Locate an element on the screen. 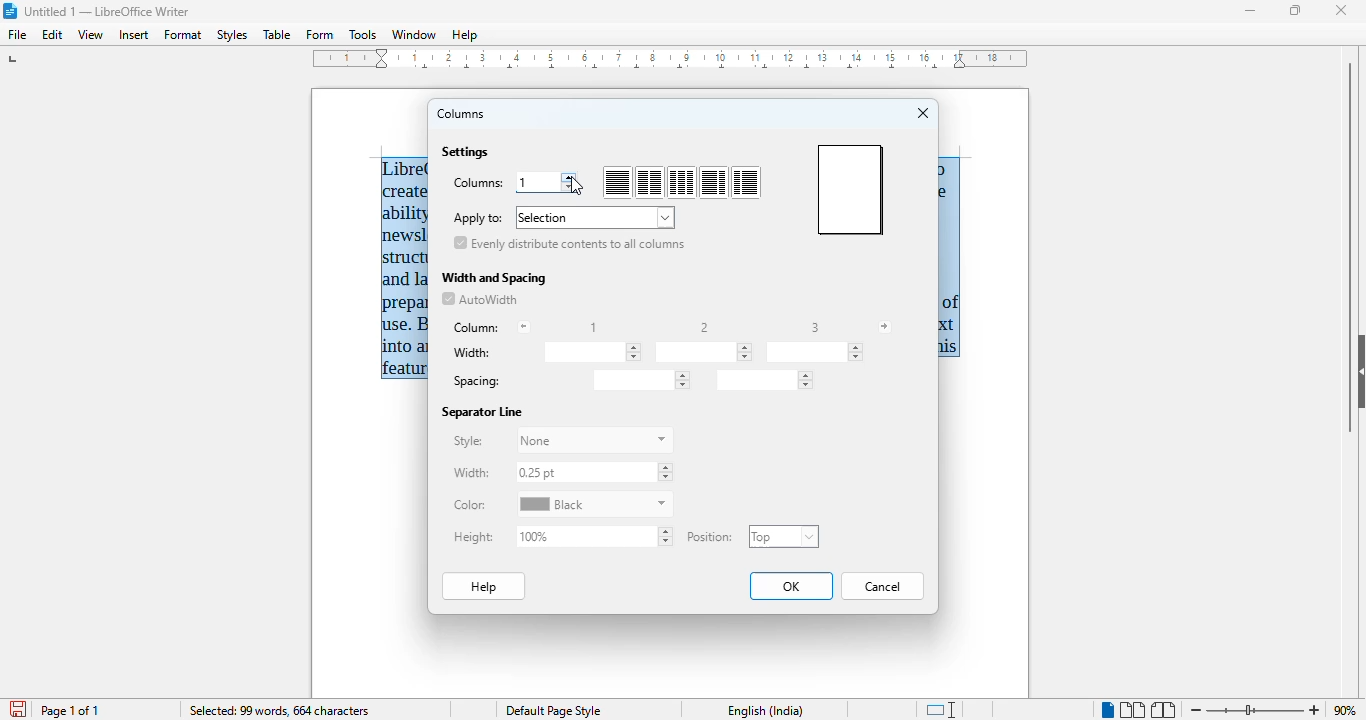 This screenshot has height=720, width=1366. autoWidth is located at coordinates (479, 299).